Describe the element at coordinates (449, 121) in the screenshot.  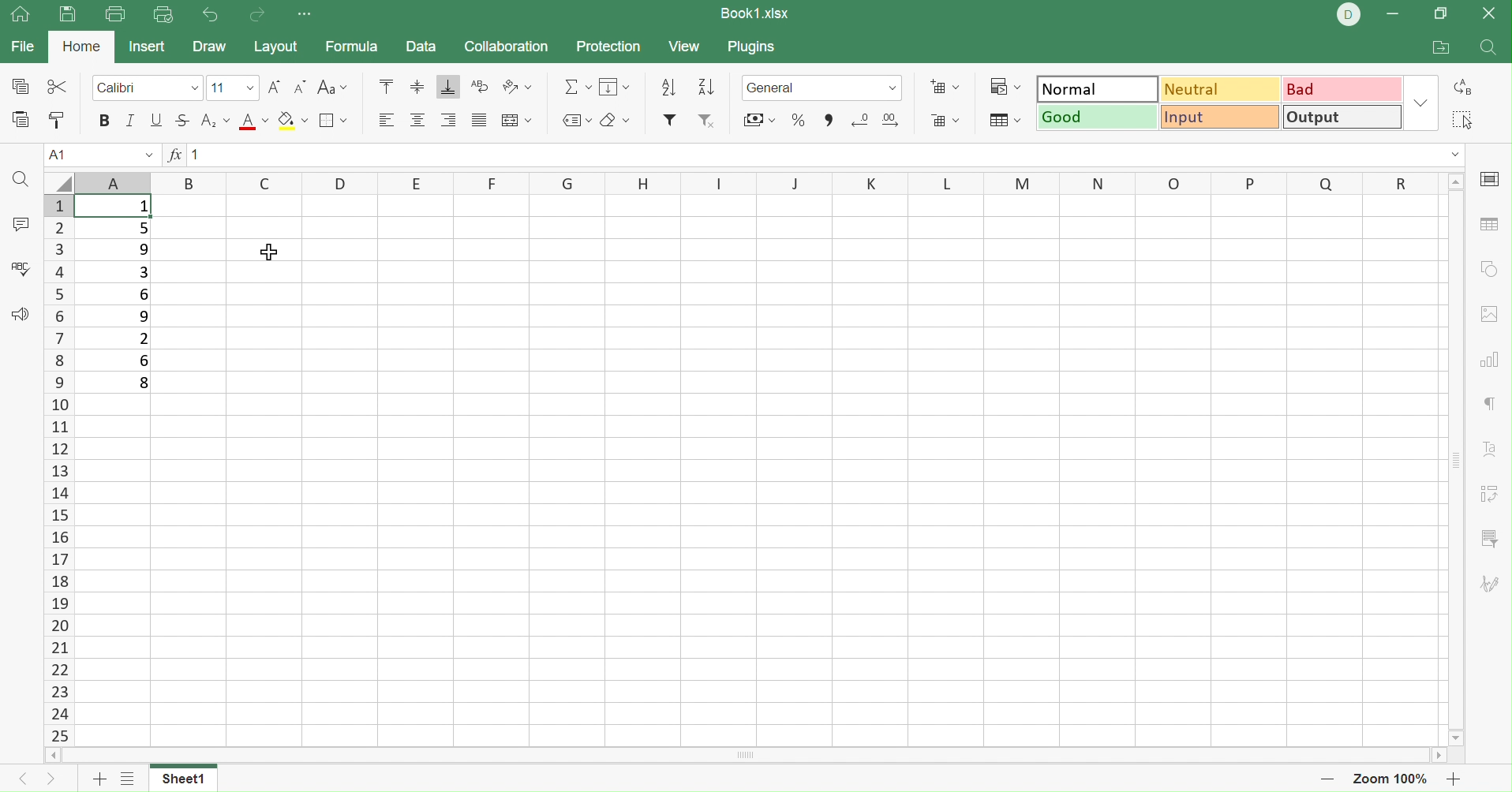
I see `Align right` at that location.